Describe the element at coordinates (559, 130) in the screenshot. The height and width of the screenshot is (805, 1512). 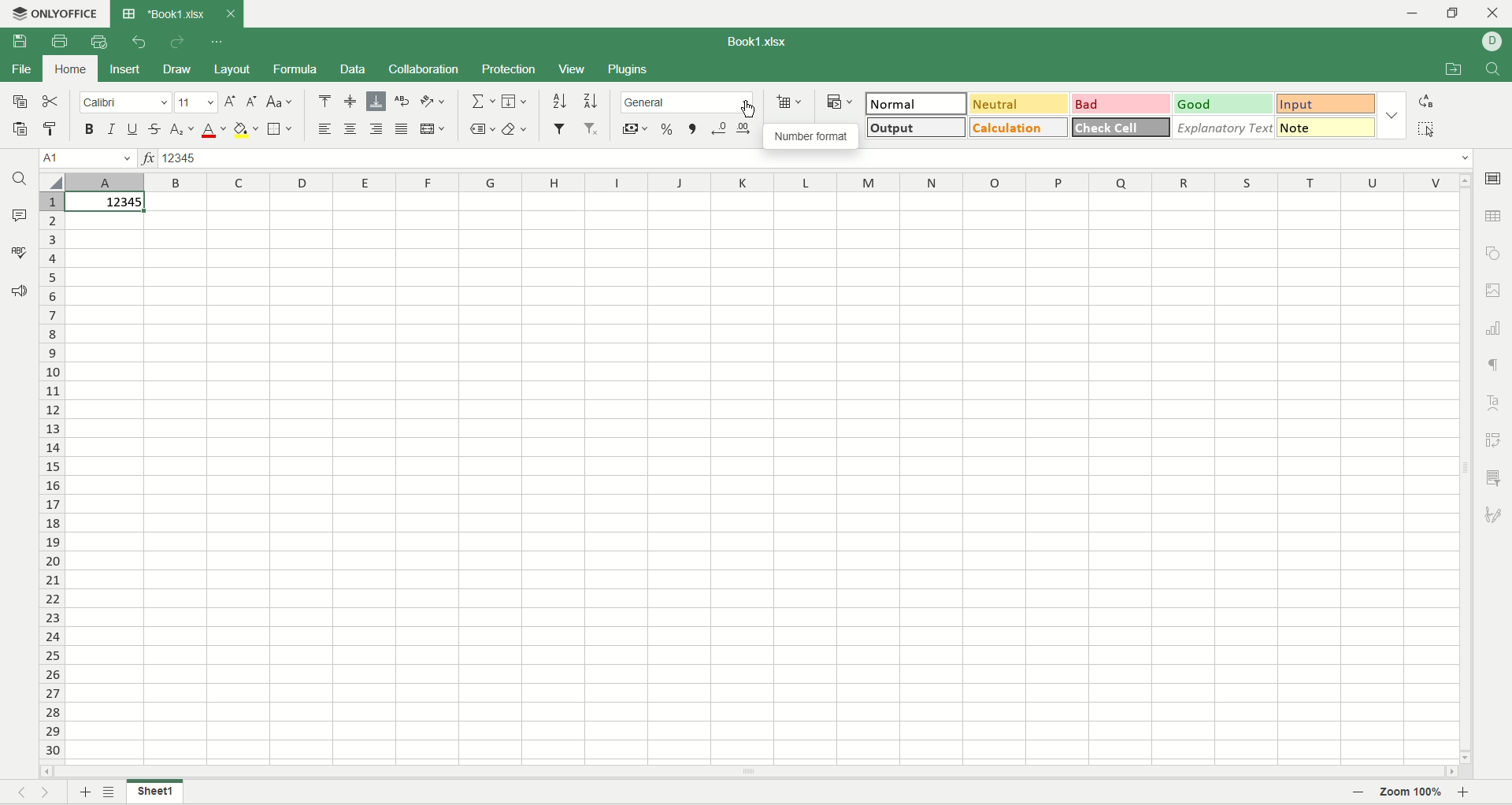
I see `filter` at that location.